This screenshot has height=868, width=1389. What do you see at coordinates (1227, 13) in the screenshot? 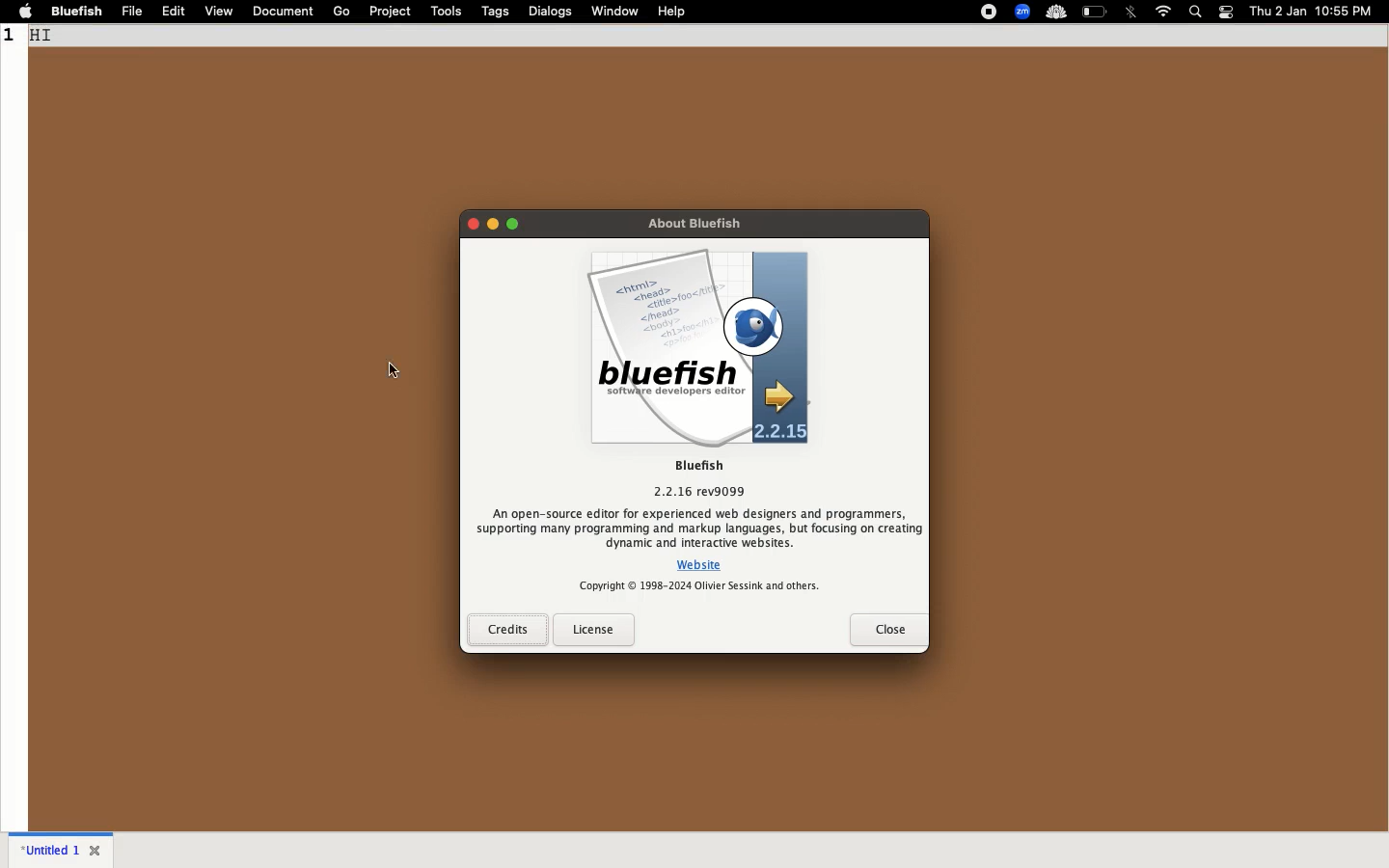
I see `notification` at bounding box center [1227, 13].